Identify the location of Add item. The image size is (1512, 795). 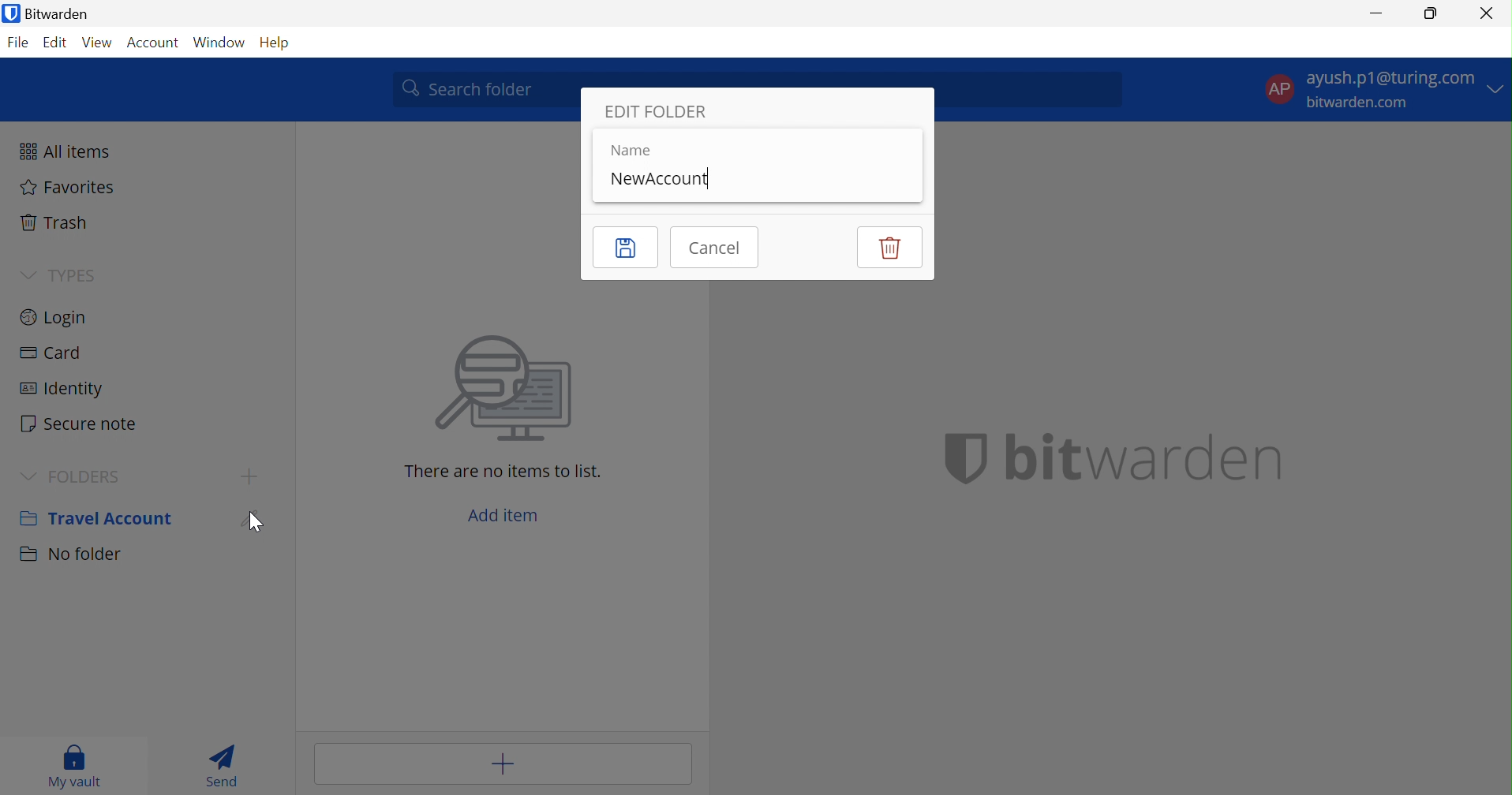
(501, 763).